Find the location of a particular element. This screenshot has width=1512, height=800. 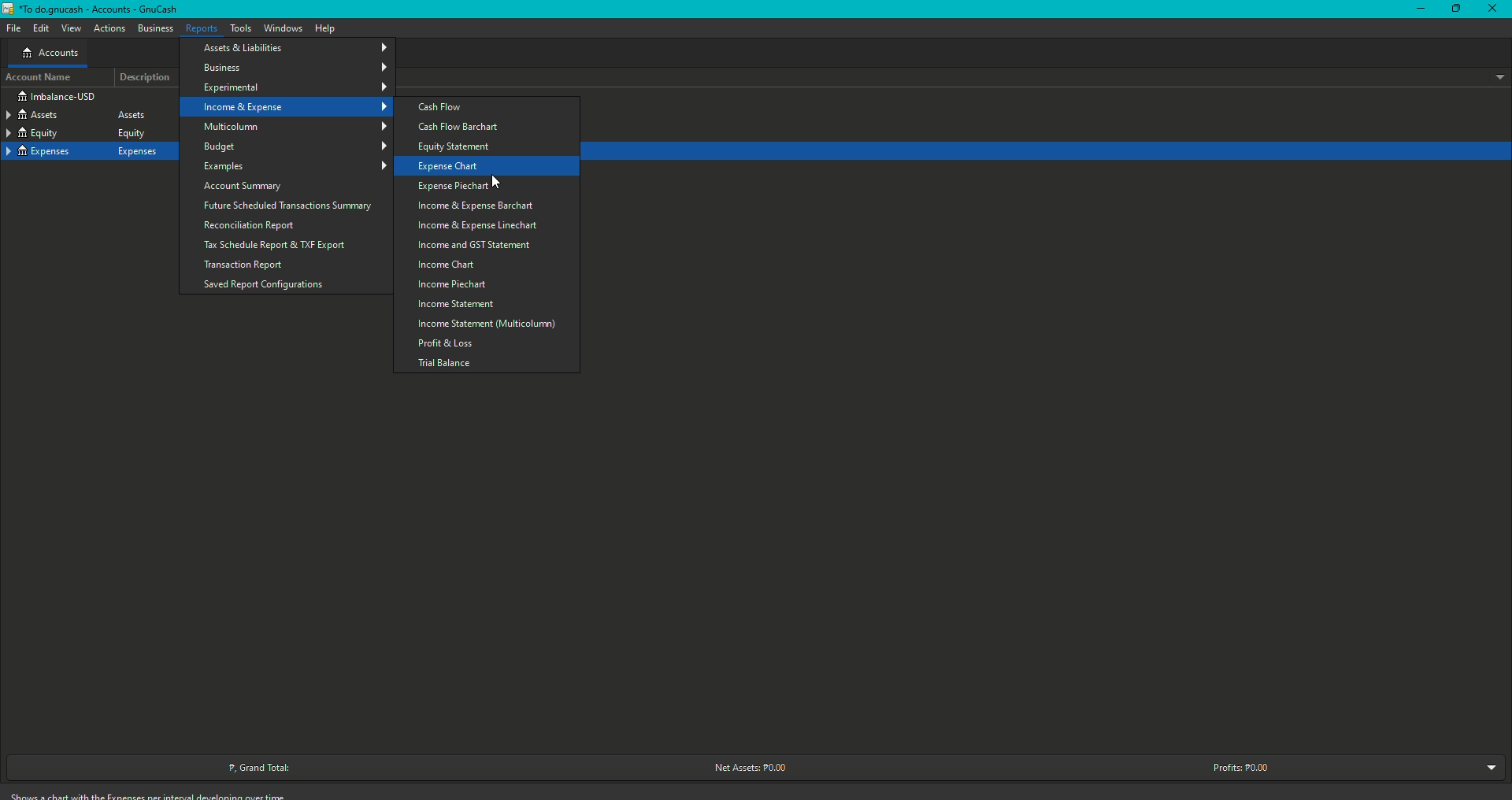

Income and Expense is located at coordinates (295, 106).